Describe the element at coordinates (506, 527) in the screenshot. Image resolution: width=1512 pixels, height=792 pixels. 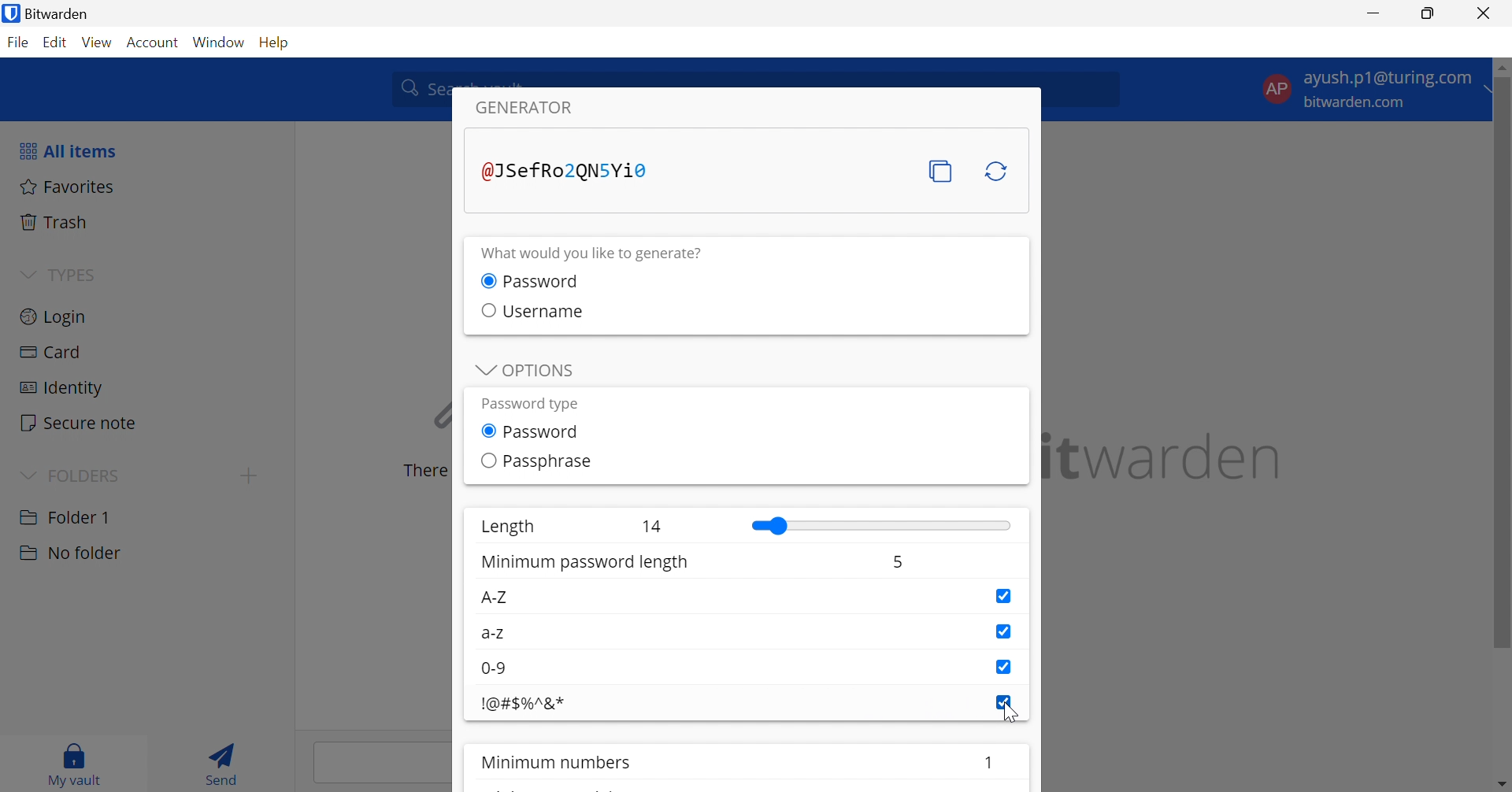
I see `Length` at that location.